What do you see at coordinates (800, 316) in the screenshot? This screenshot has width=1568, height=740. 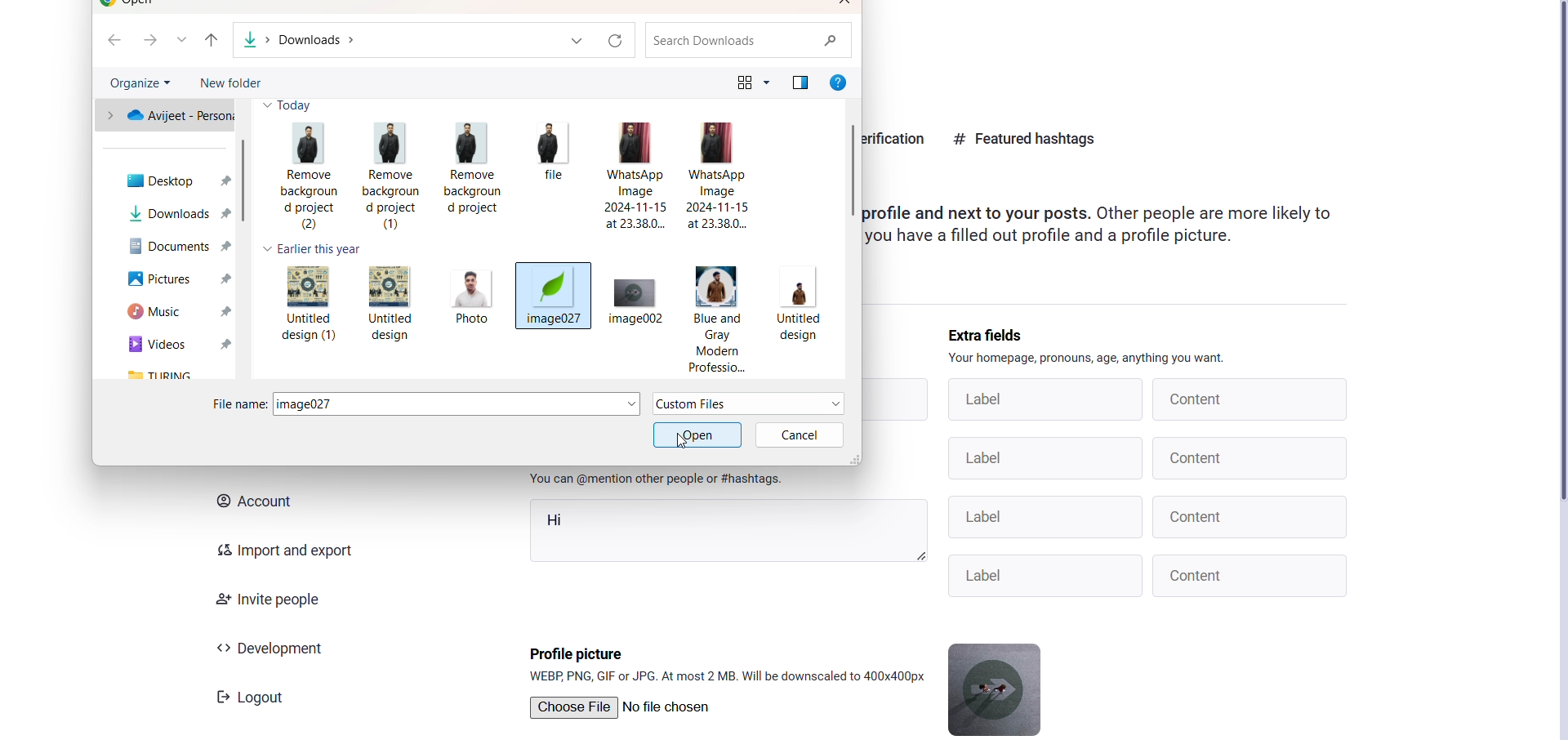 I see `Untitled design` at bounding box center [800, 316].